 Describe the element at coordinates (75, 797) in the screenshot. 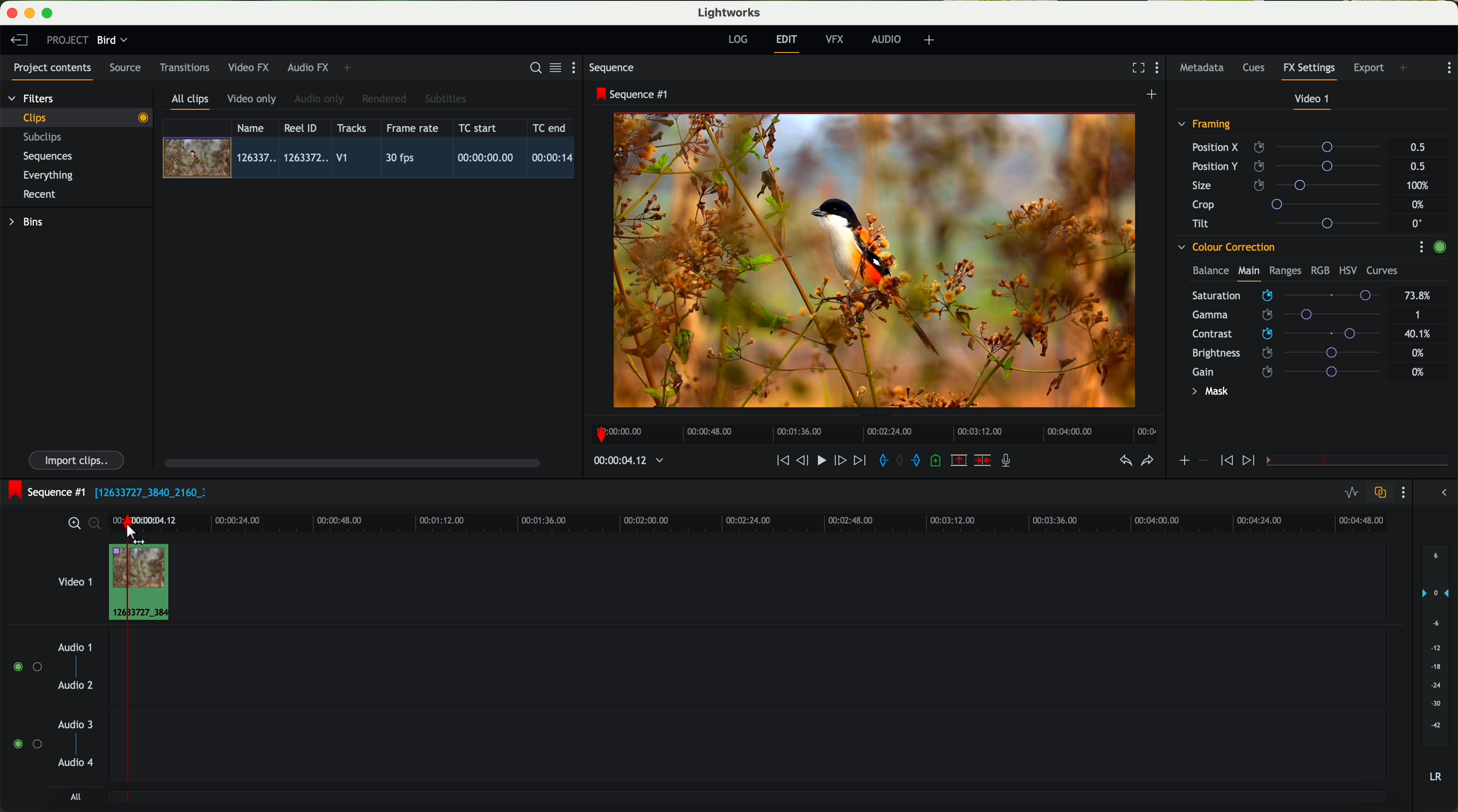

I see `all` at that location.